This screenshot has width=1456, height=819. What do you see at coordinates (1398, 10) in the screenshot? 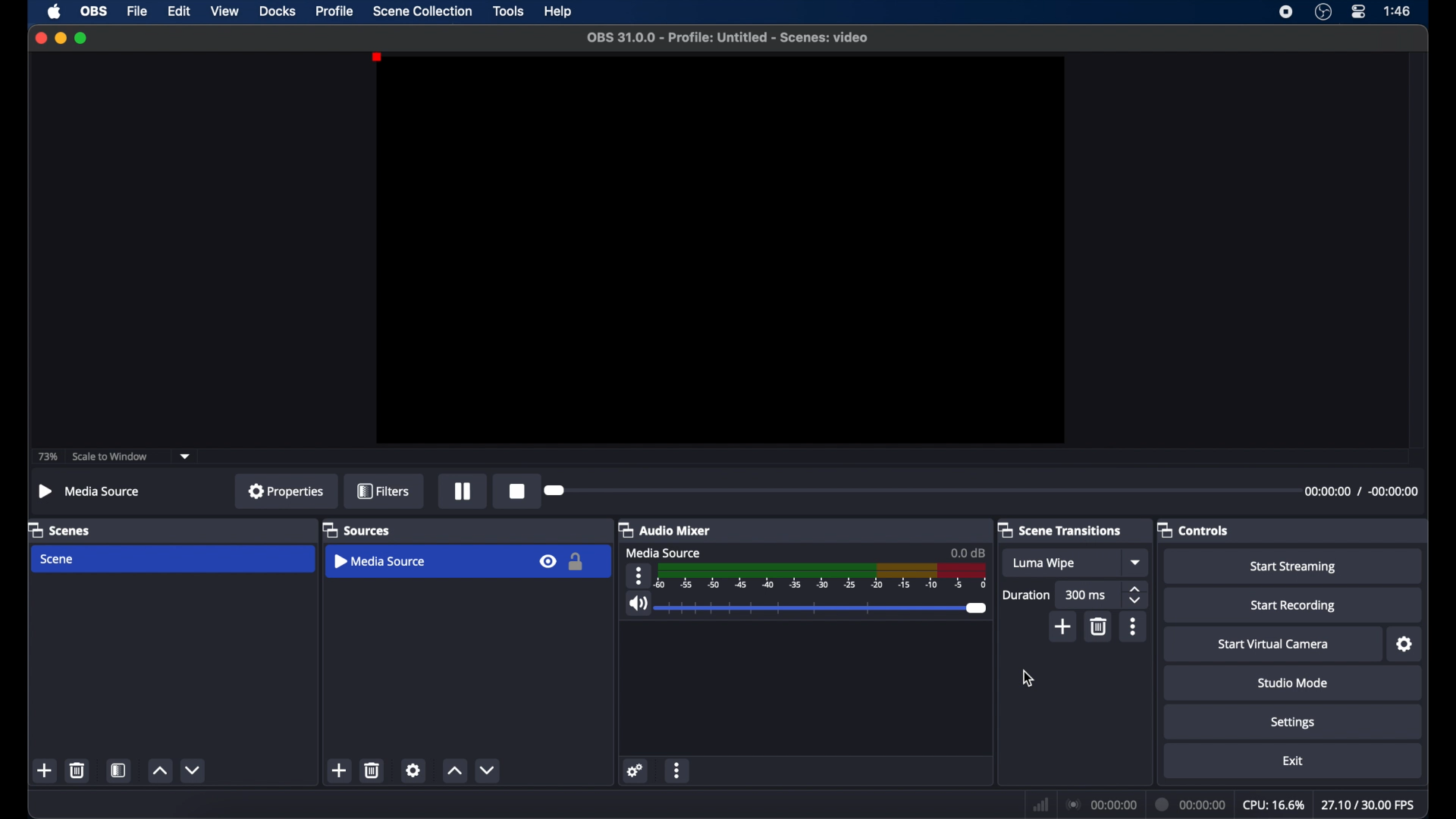
I see `time` at bounding box center [1398, 10].